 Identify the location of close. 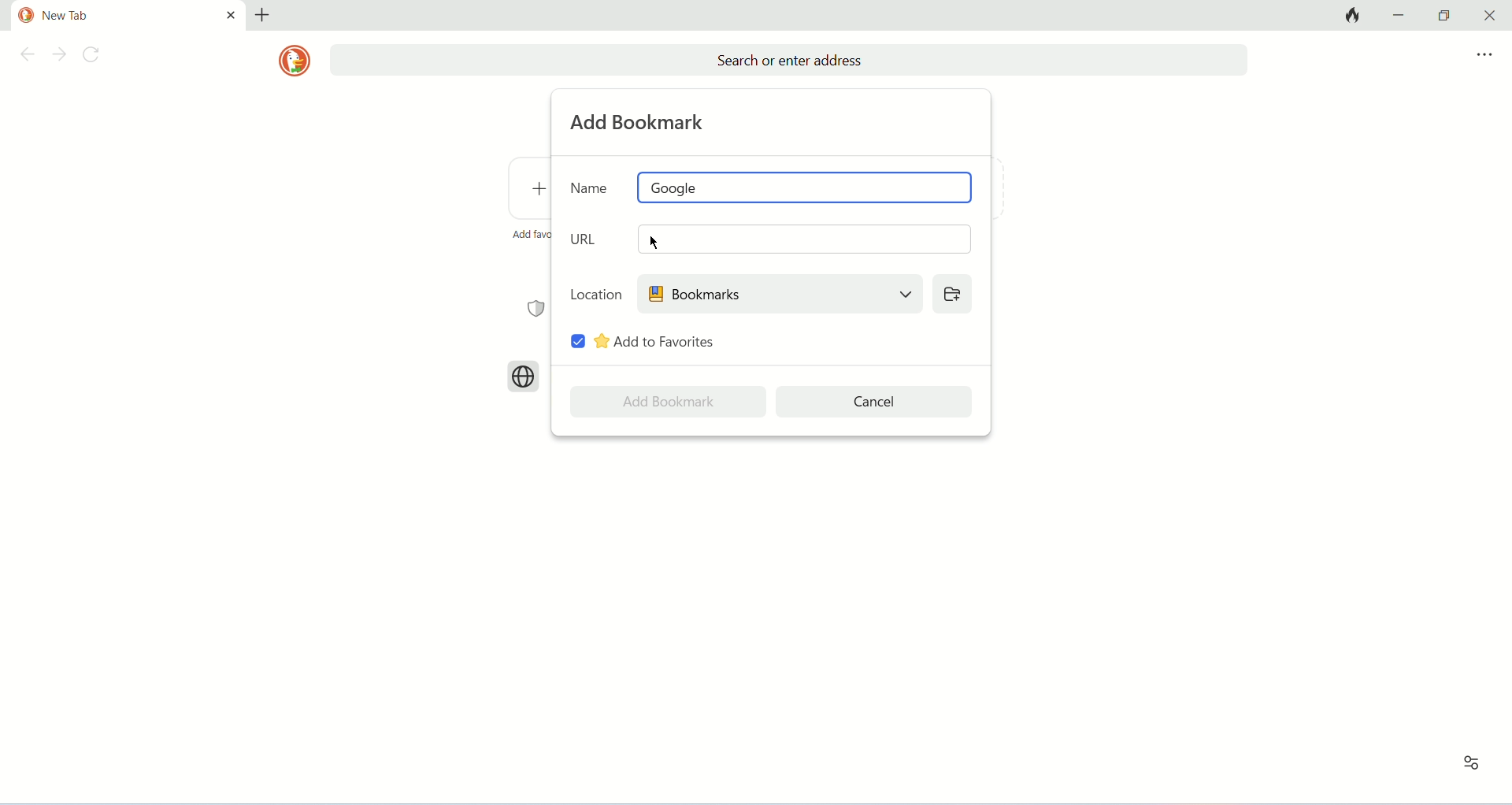
(1486, 16).